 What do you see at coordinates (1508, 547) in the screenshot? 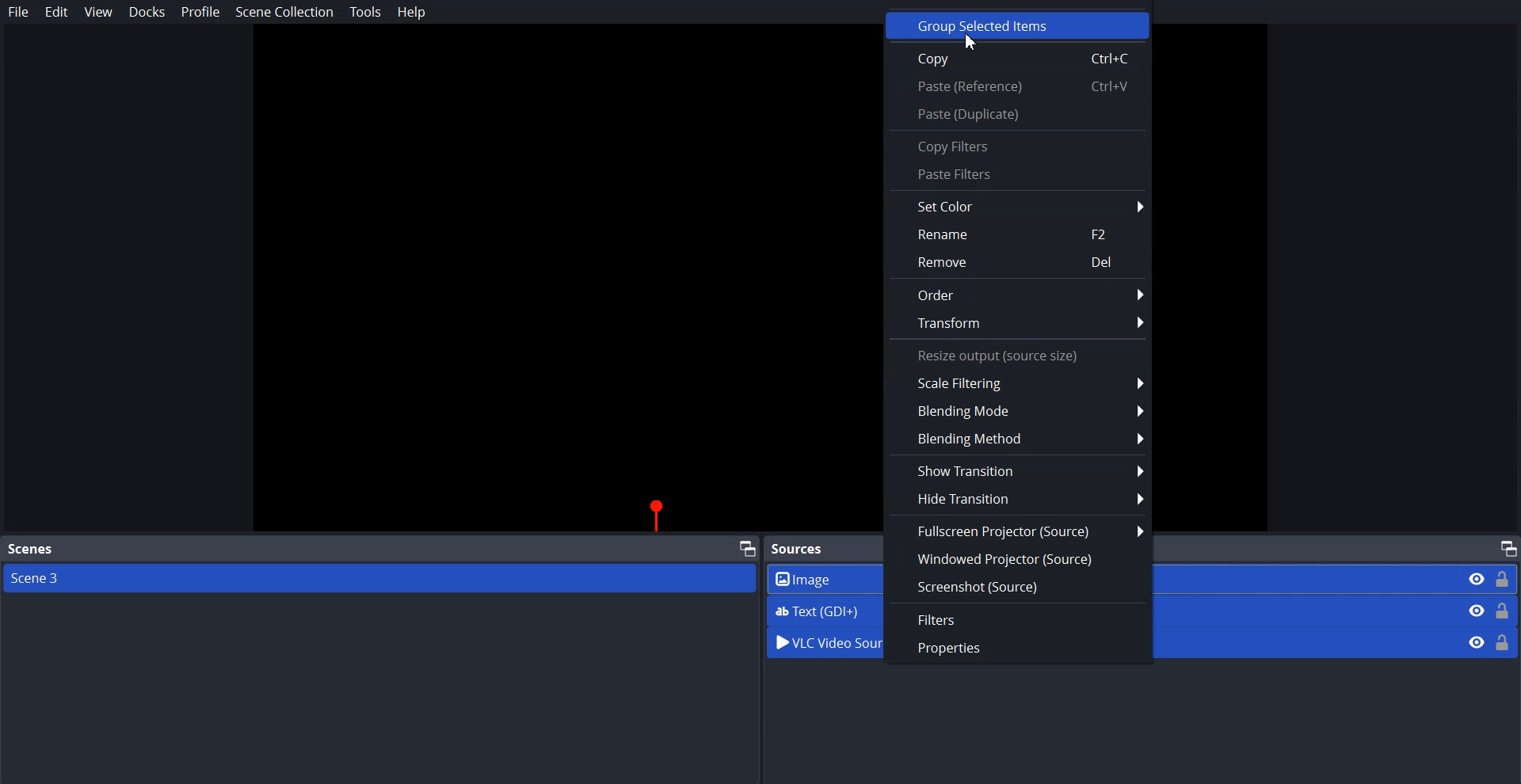
I see `Maximize` at bounding box center [1508, 547].